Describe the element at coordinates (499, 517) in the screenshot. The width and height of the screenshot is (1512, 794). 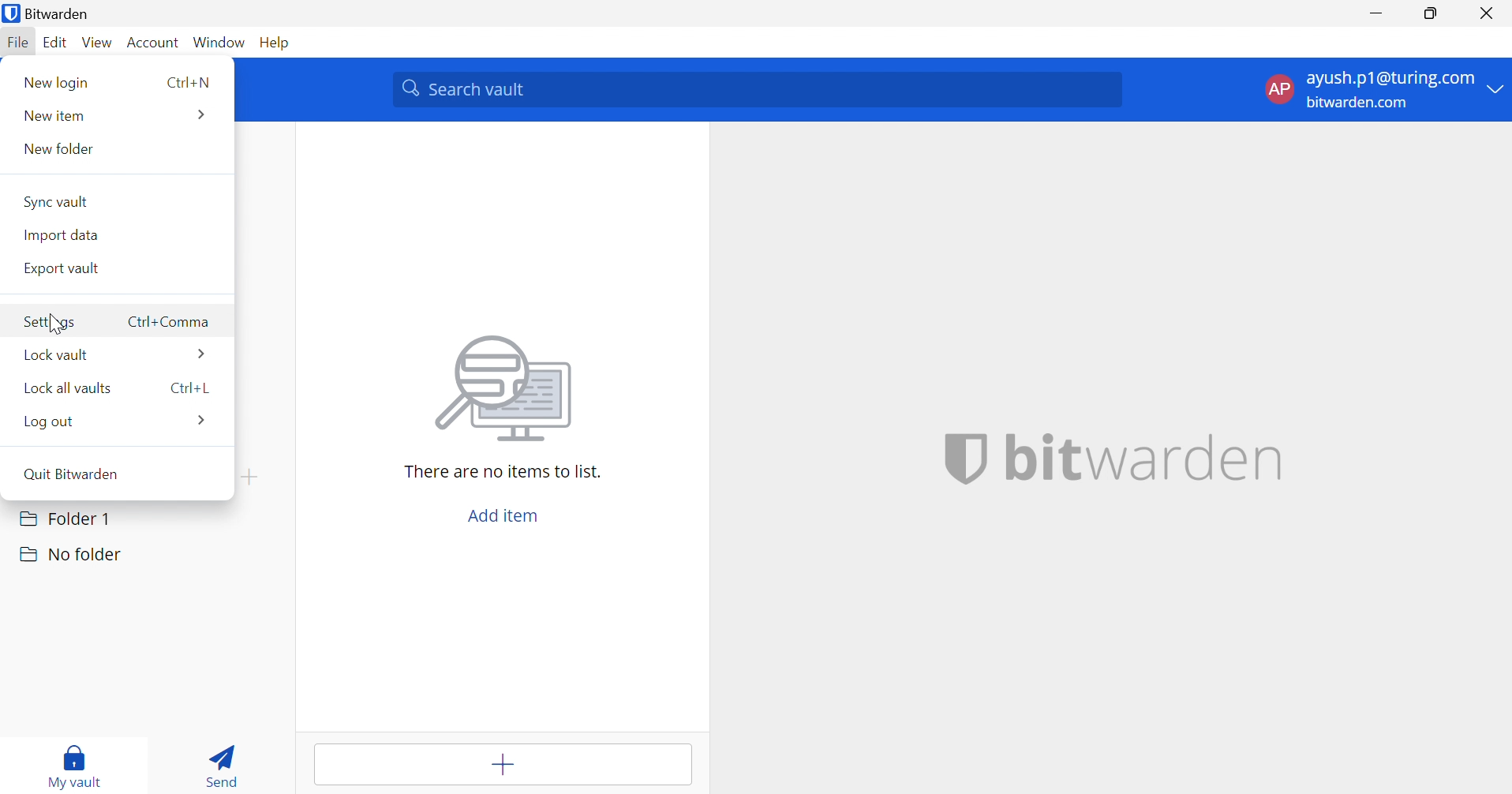
I see `Add iitem` at that location.